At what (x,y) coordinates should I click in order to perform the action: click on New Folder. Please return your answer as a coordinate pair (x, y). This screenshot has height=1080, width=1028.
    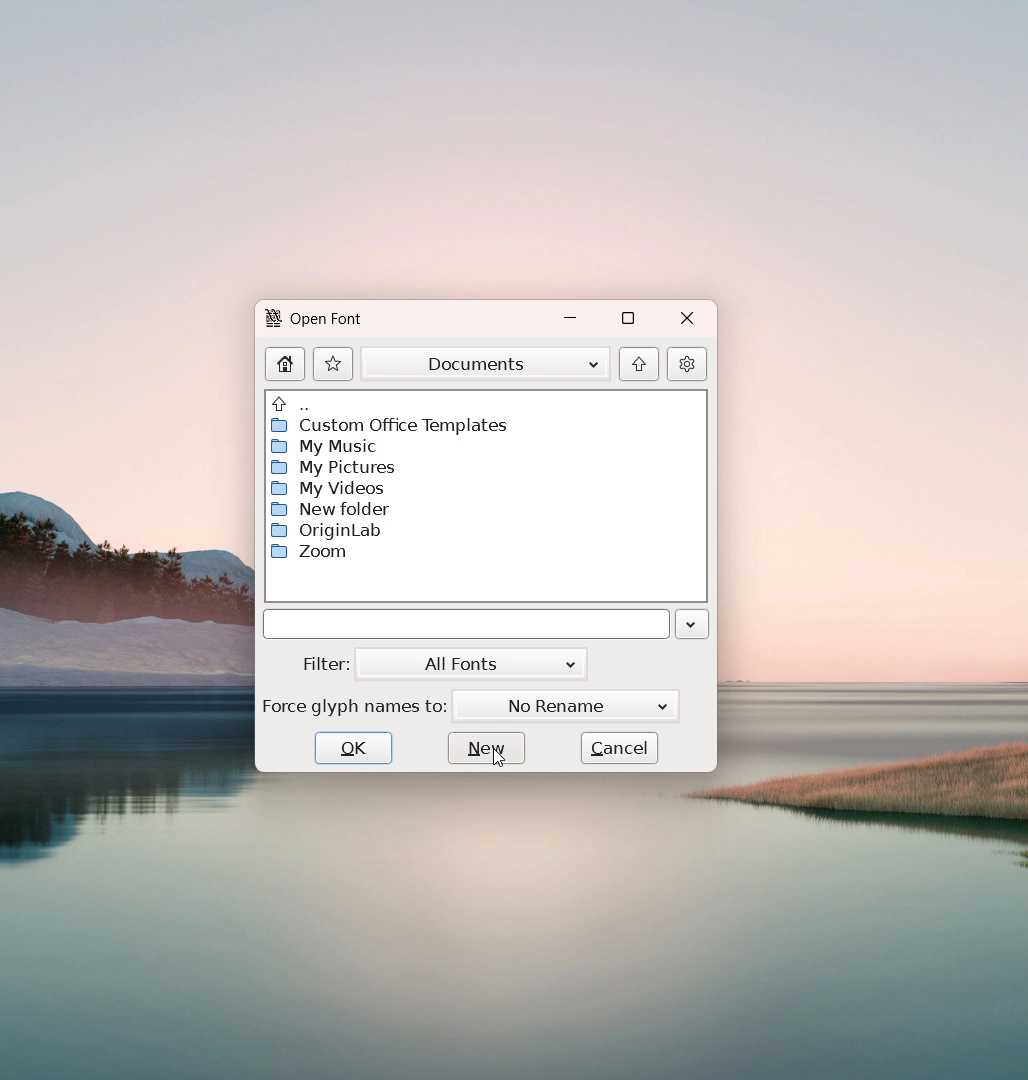
    Looking at the image, I should click on (330, 509).